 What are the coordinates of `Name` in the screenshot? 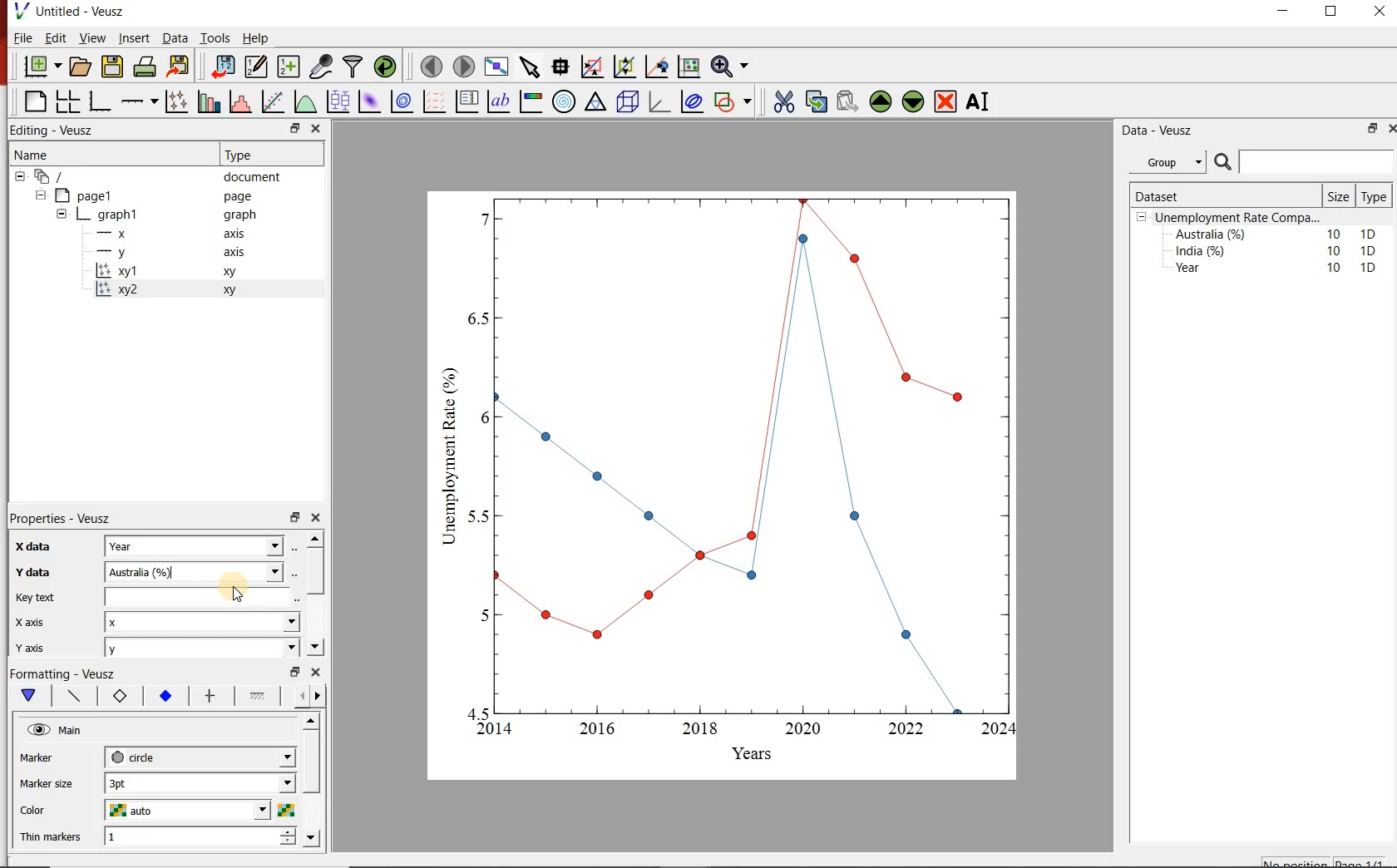 It's located at (105, 153).